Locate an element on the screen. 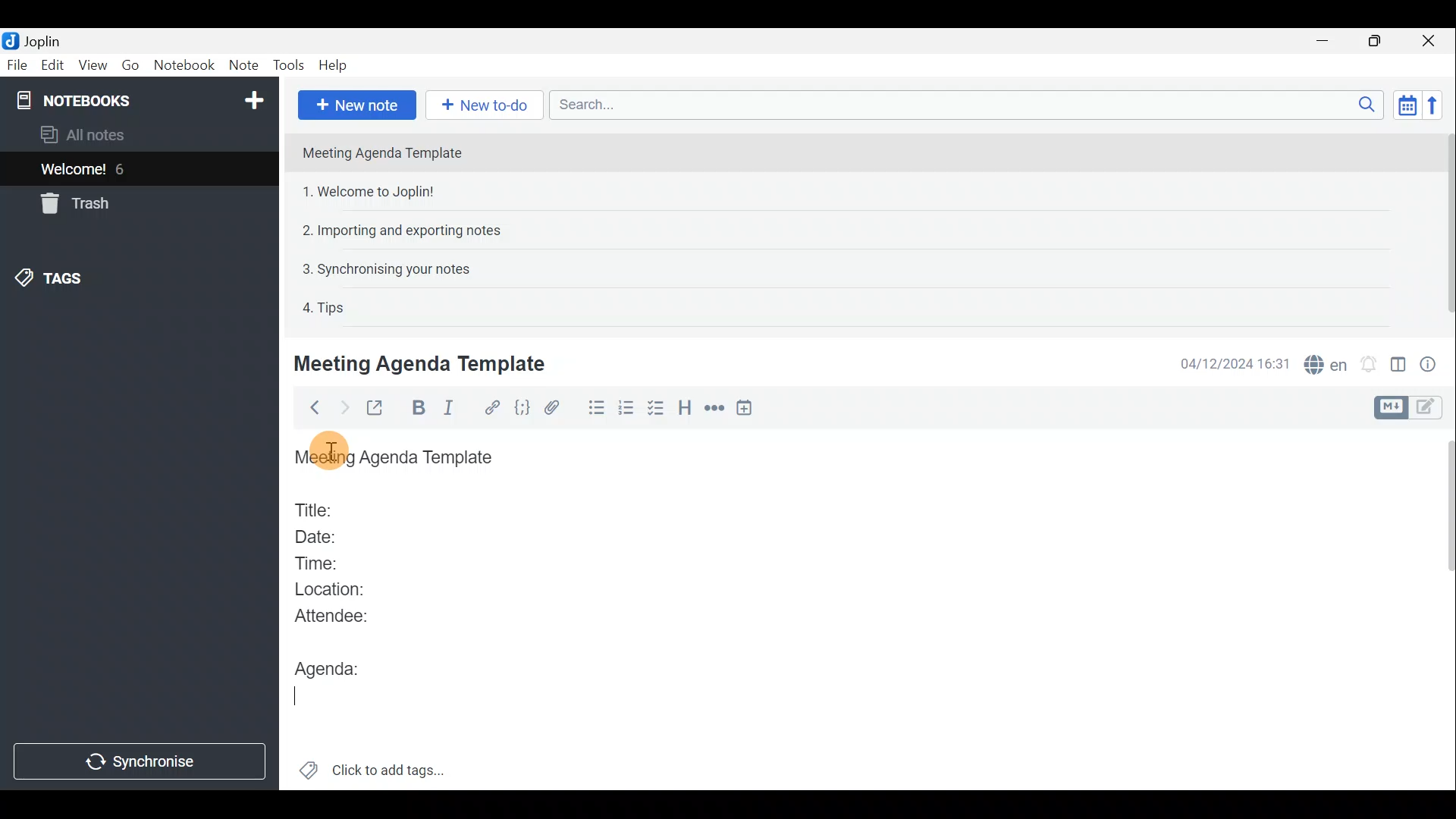  Notebook is located at coordinates (185, 66).